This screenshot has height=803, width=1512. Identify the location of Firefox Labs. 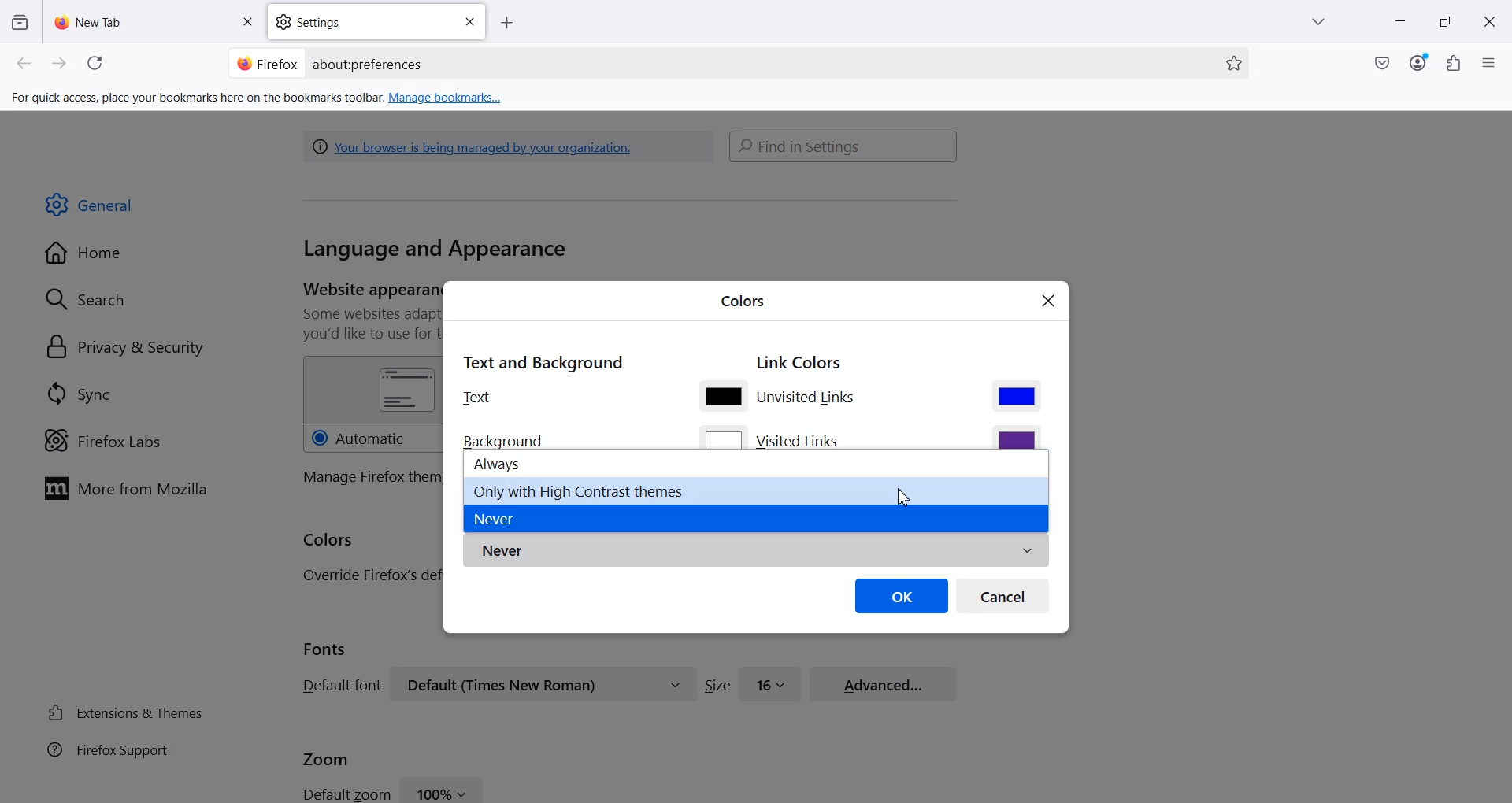
(102, 441).